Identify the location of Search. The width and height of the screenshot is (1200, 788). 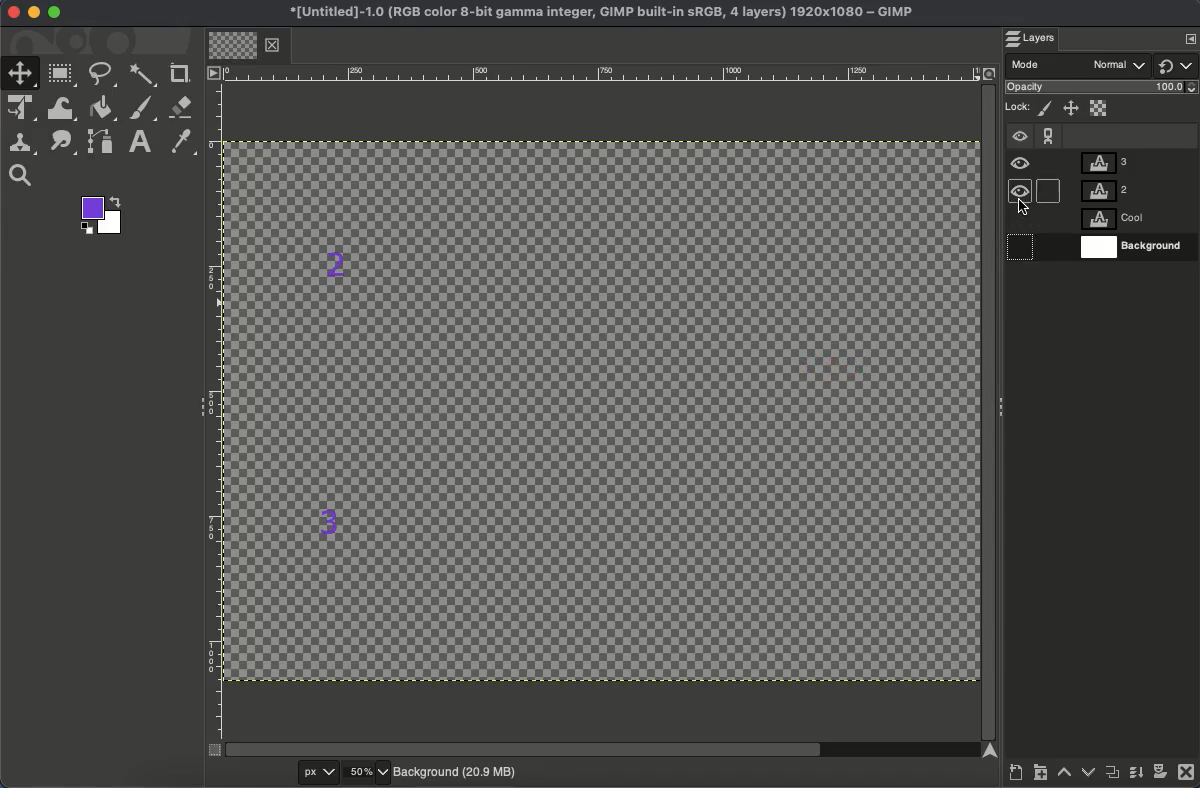
(20, 176).